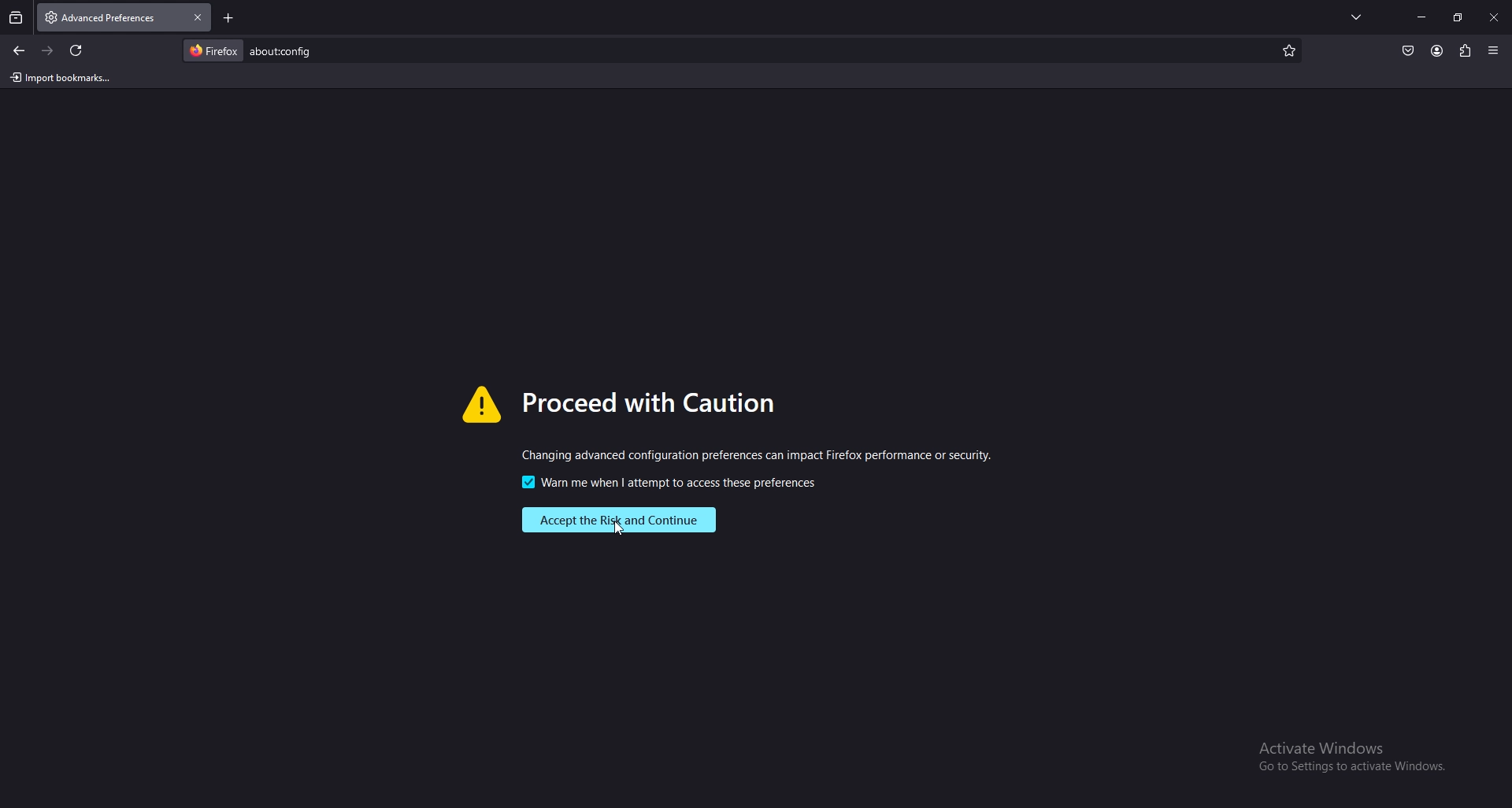  Describe the element at coordinates (621, 407) in the screenshot. I see `warning` at that location.